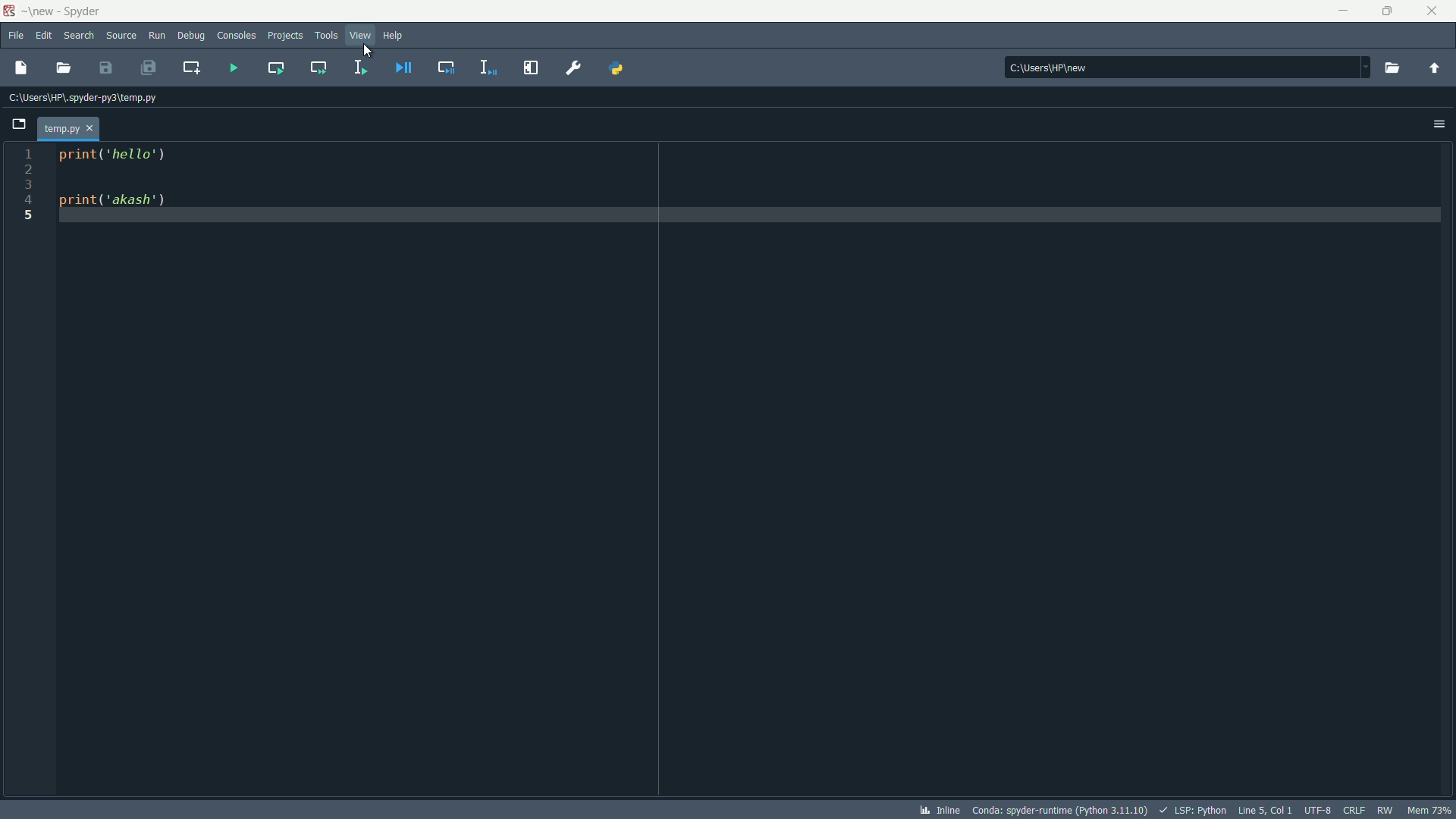 Image resolution: width=1456 pixels, height=819 pixels. I want to click on Spyder, so click(90, 13).